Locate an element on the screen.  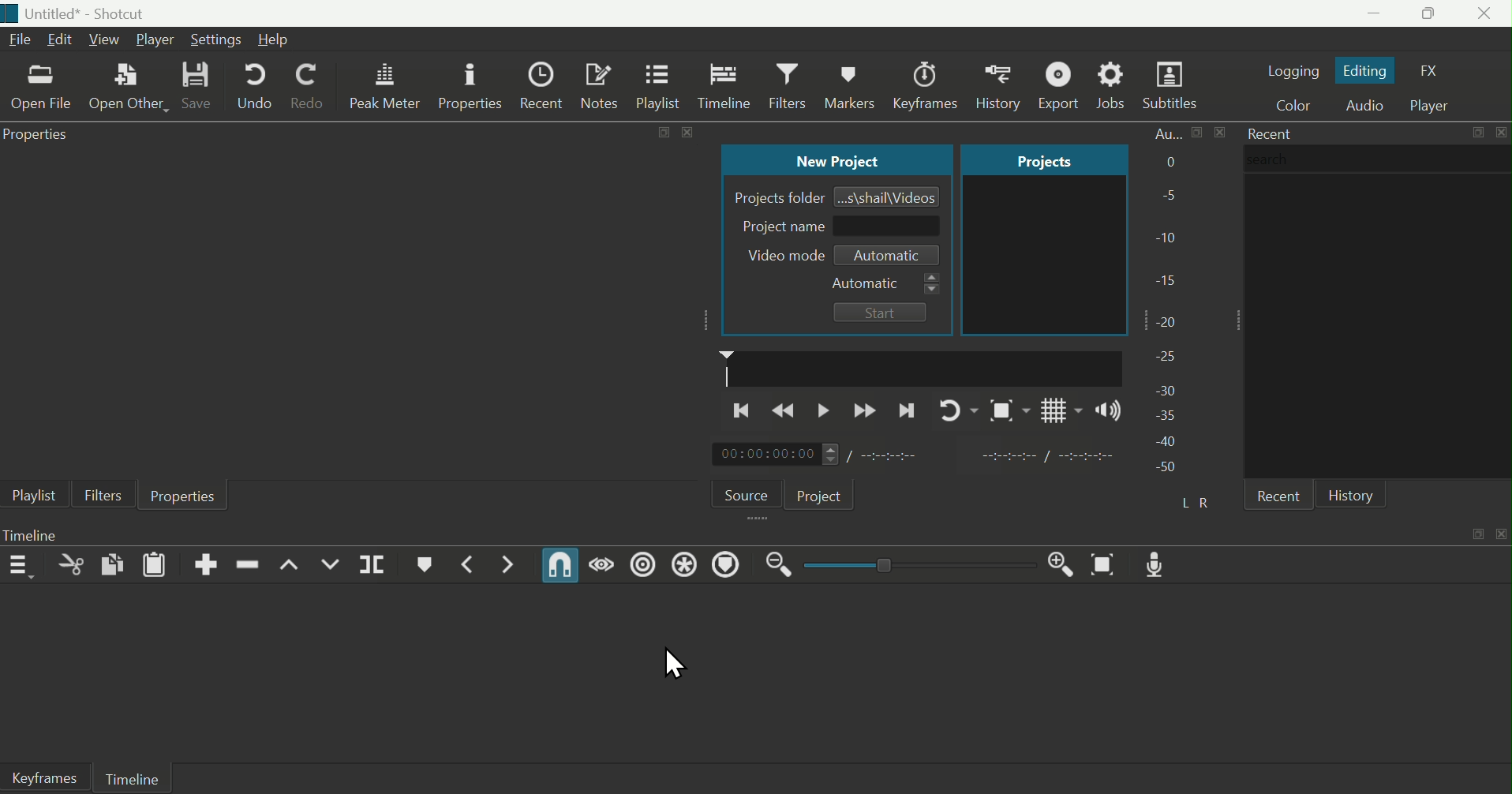
L R is located at coordinates (1200, 503).